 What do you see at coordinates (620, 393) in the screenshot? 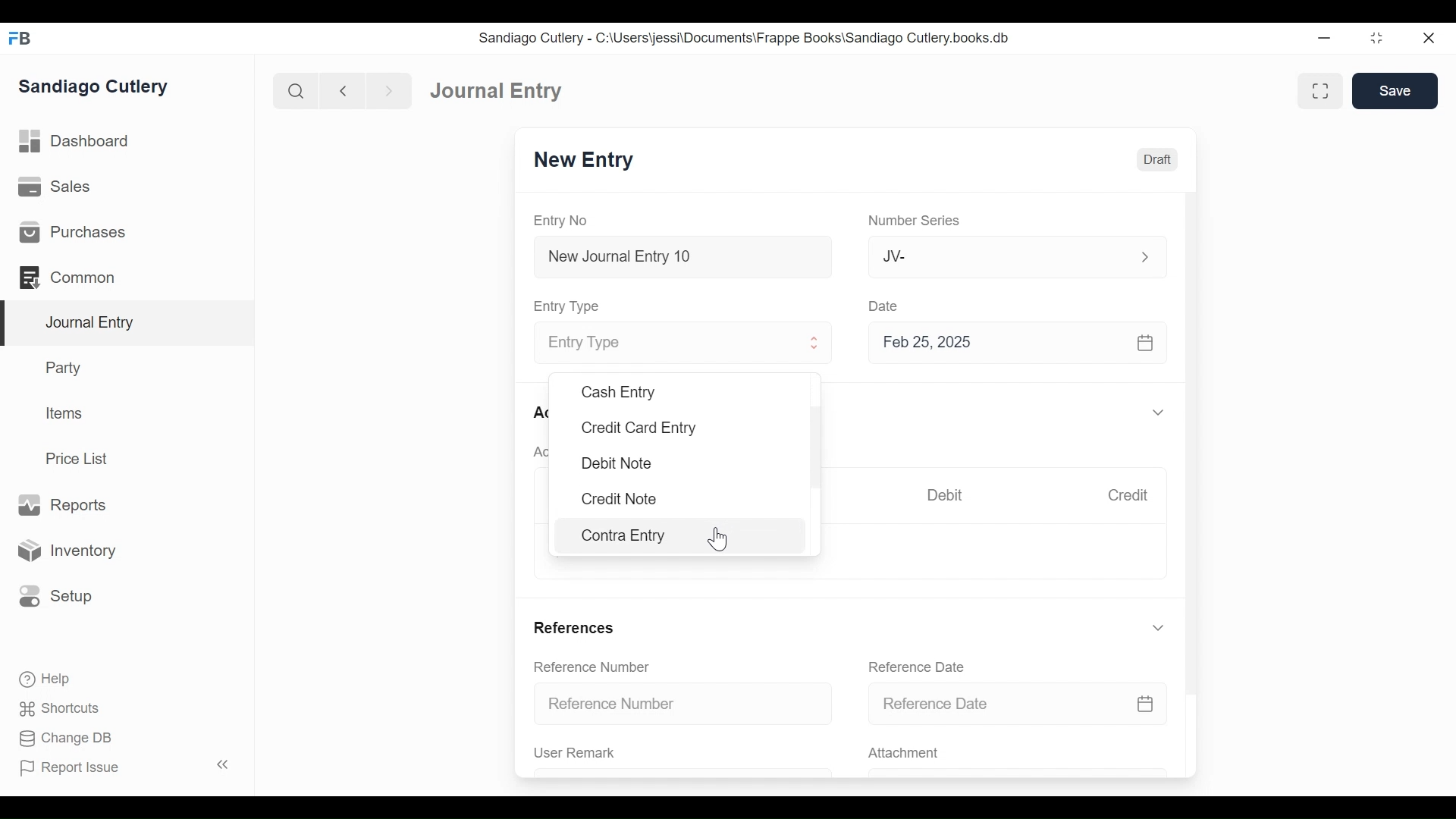
I see `Cash Entry` at bounding box center [620, 393].